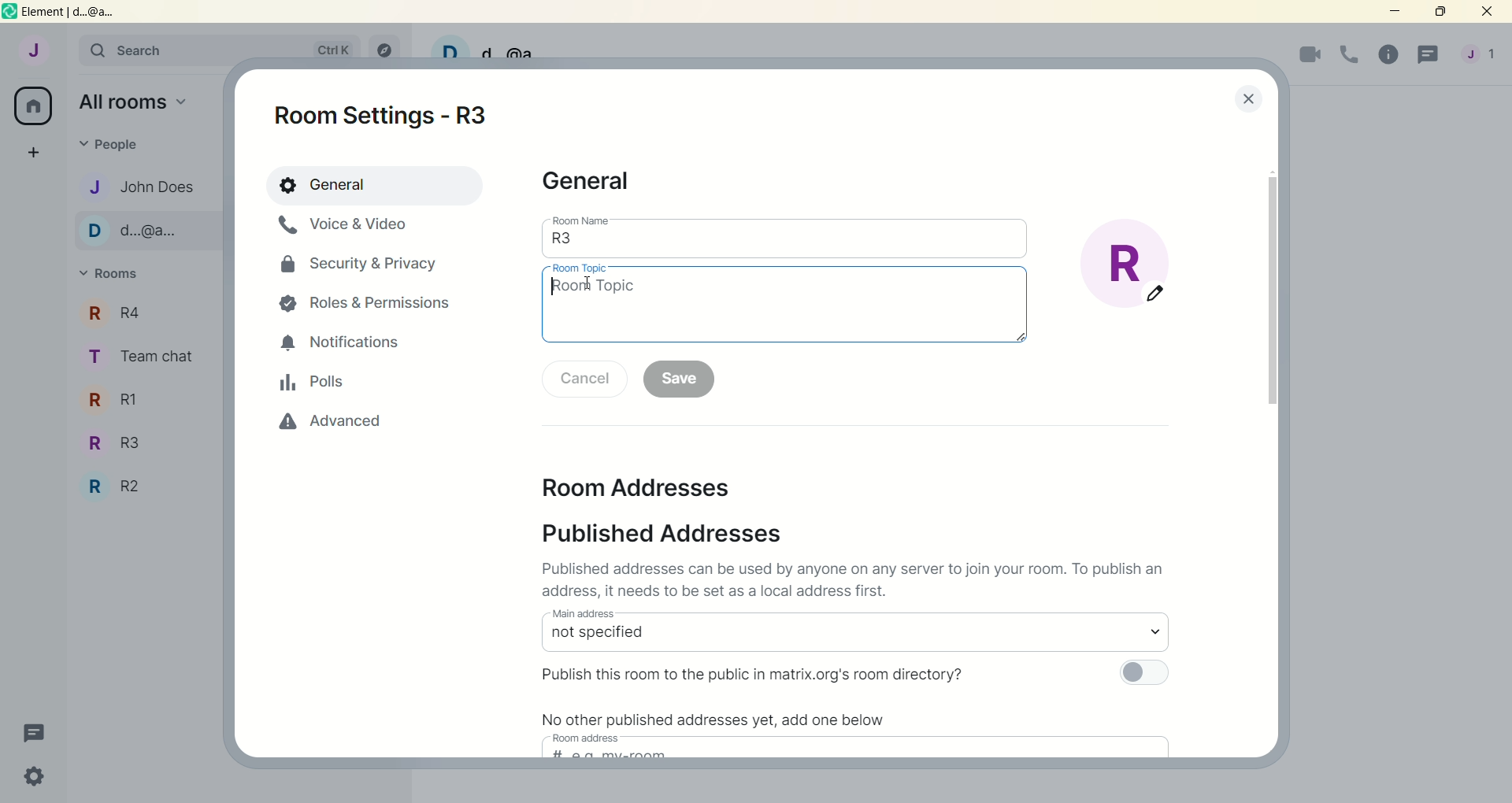 This screenshot has height=803, width=1512. What do you see at coordinates (143, 442) in the screenshot?
I see `R3` at bounding box center [143, 442].